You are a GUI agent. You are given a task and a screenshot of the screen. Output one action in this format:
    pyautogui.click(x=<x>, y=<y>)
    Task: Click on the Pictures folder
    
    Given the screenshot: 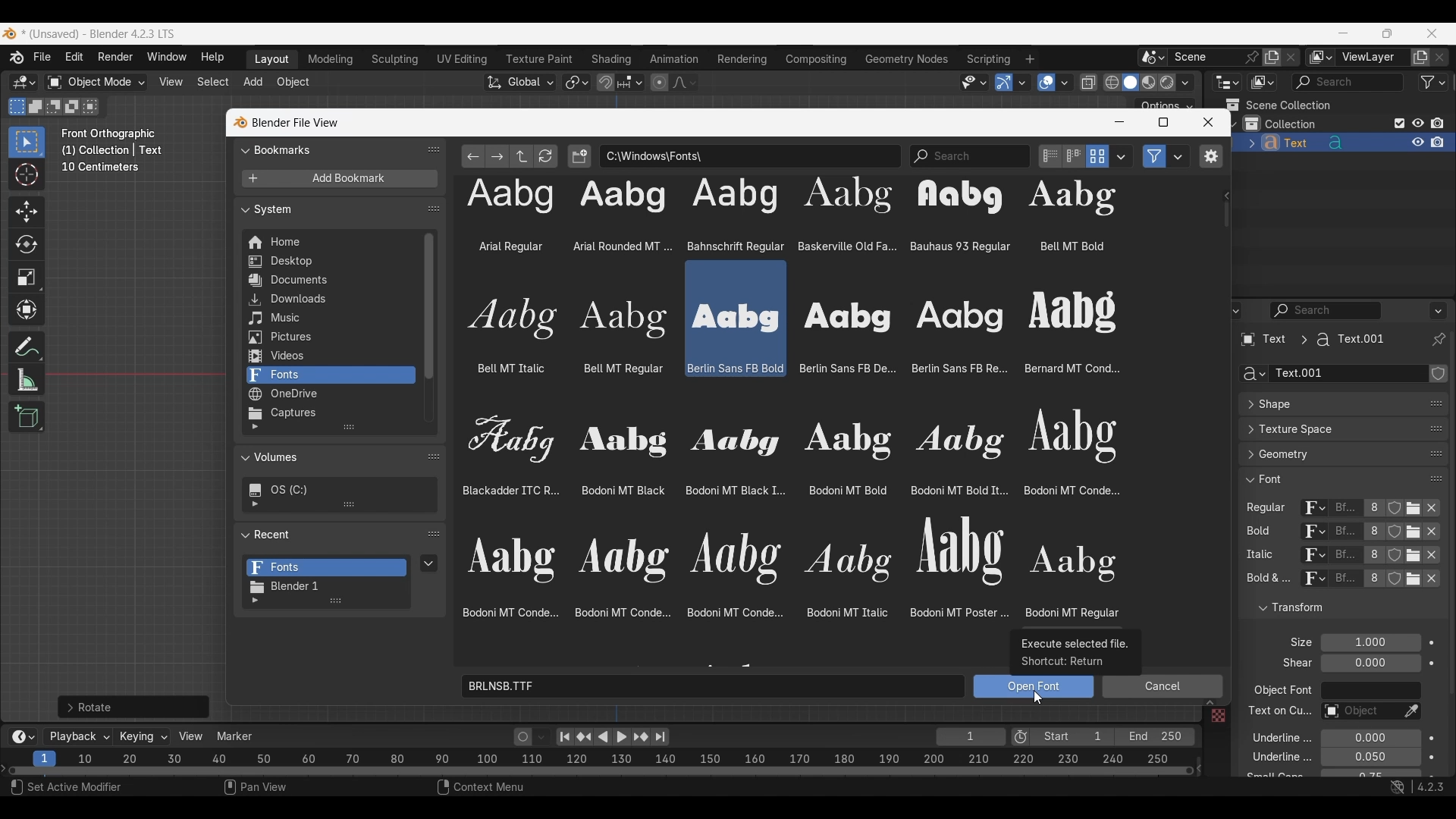 What is the action you would take?
    pyautogui.click(x=329, y=337)
    